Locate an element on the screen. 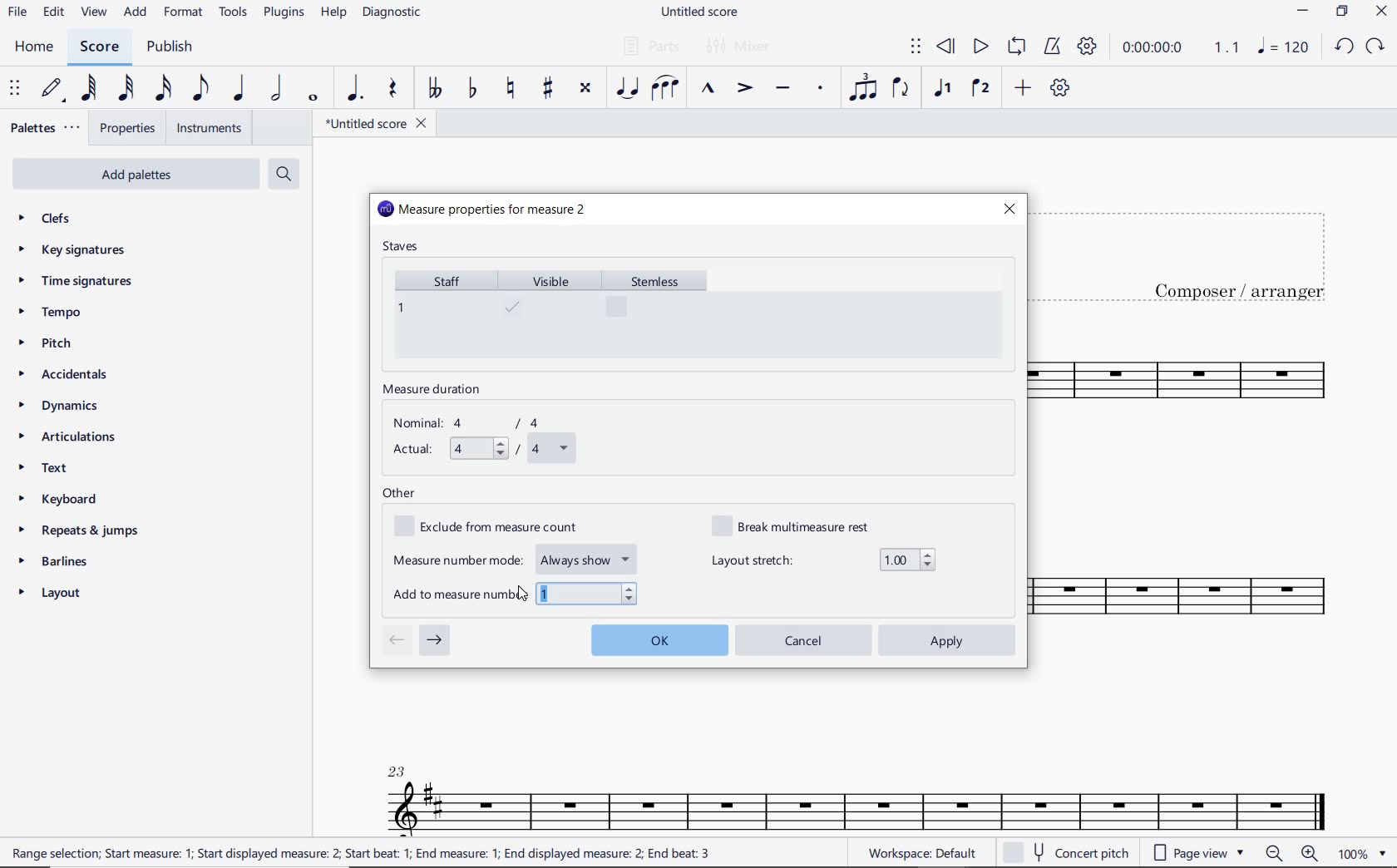  NOTE is located at coordinates (1282, 47).